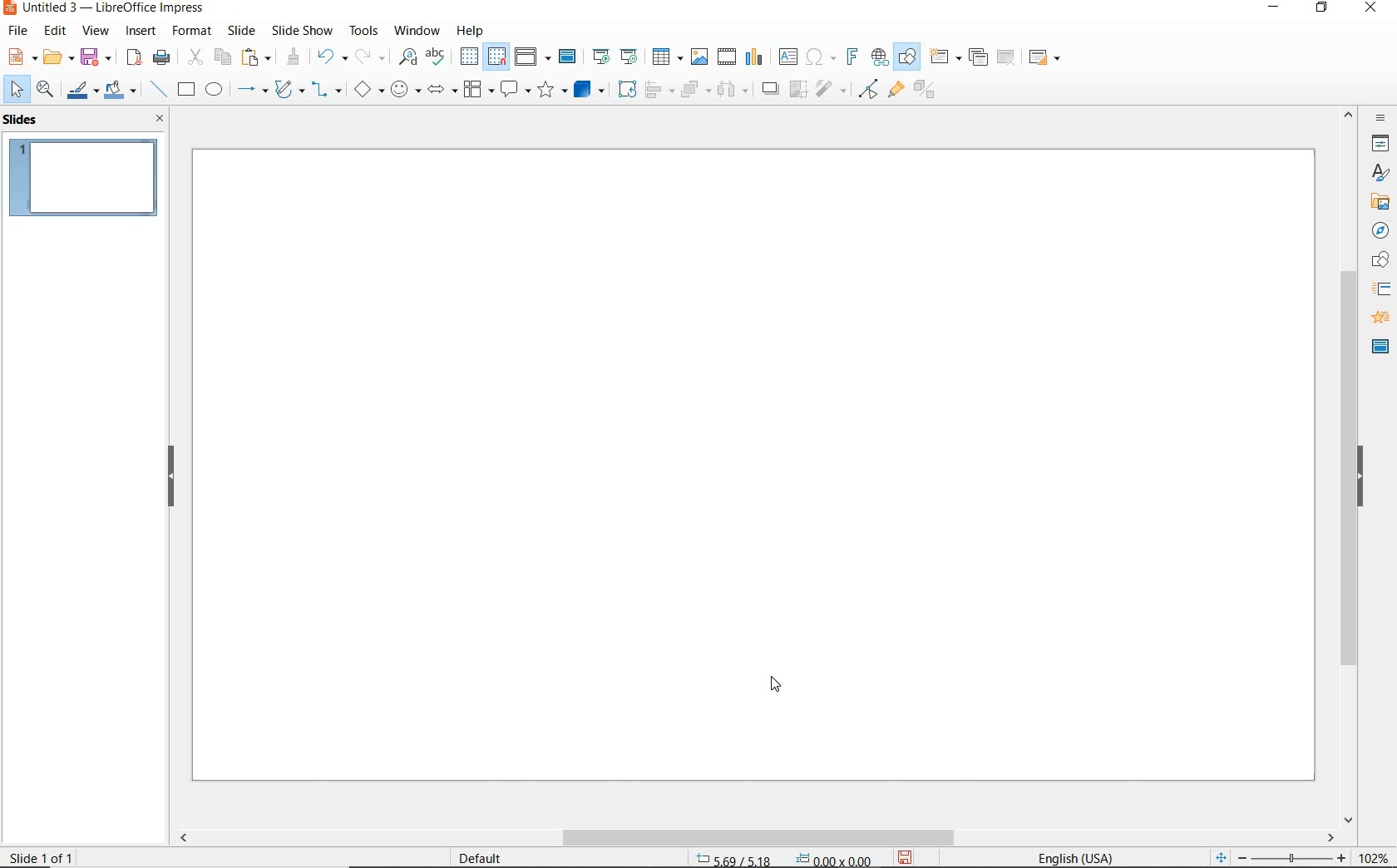 The width and height of the screenshot is (1397, 868). What do you see at coordinates (159, 89) in the screenshot?
I see `INSERT LINE` at bounding box center [159, 89].